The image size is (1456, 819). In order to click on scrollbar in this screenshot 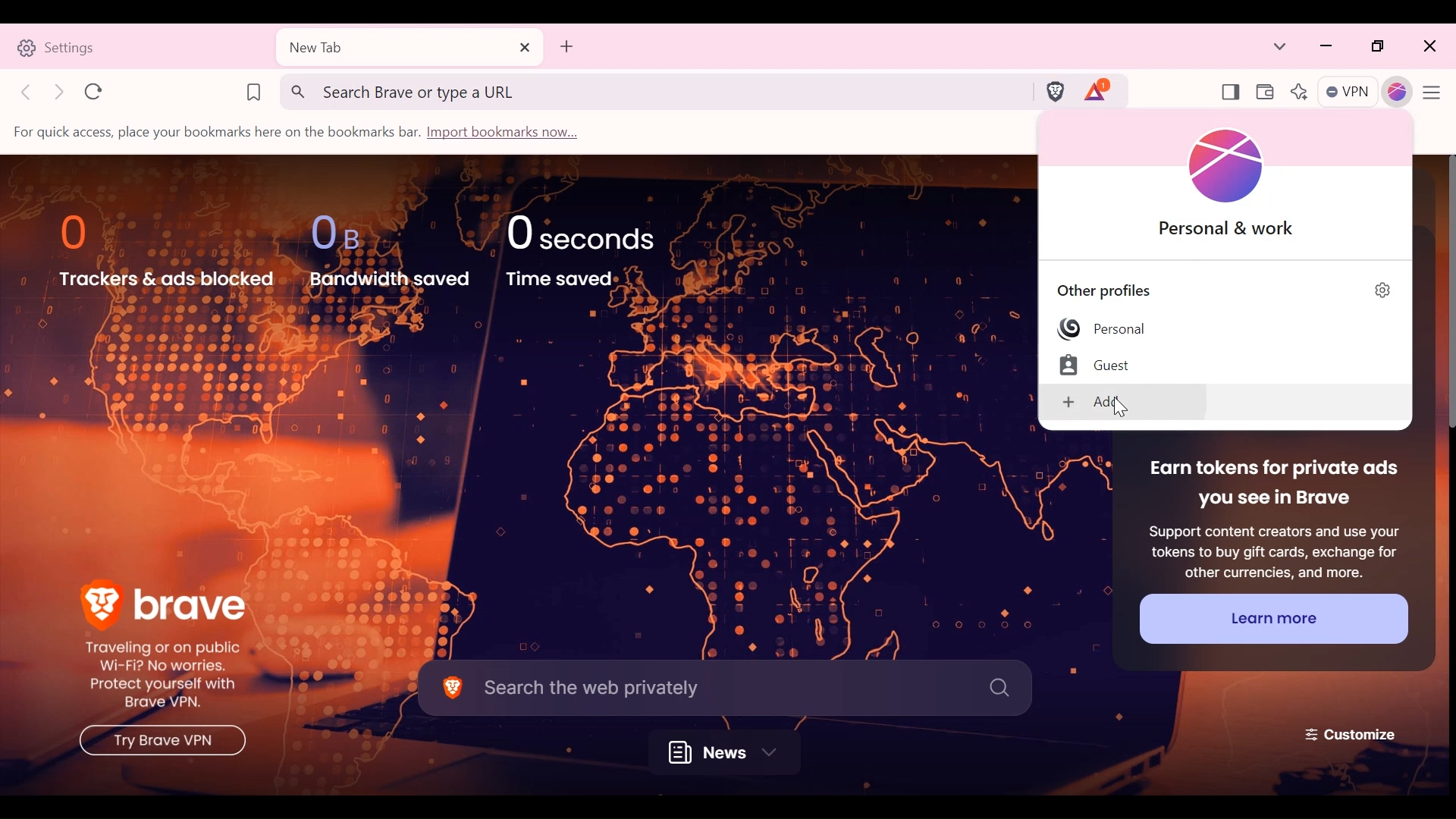, I will do `click(1443, 295)`.